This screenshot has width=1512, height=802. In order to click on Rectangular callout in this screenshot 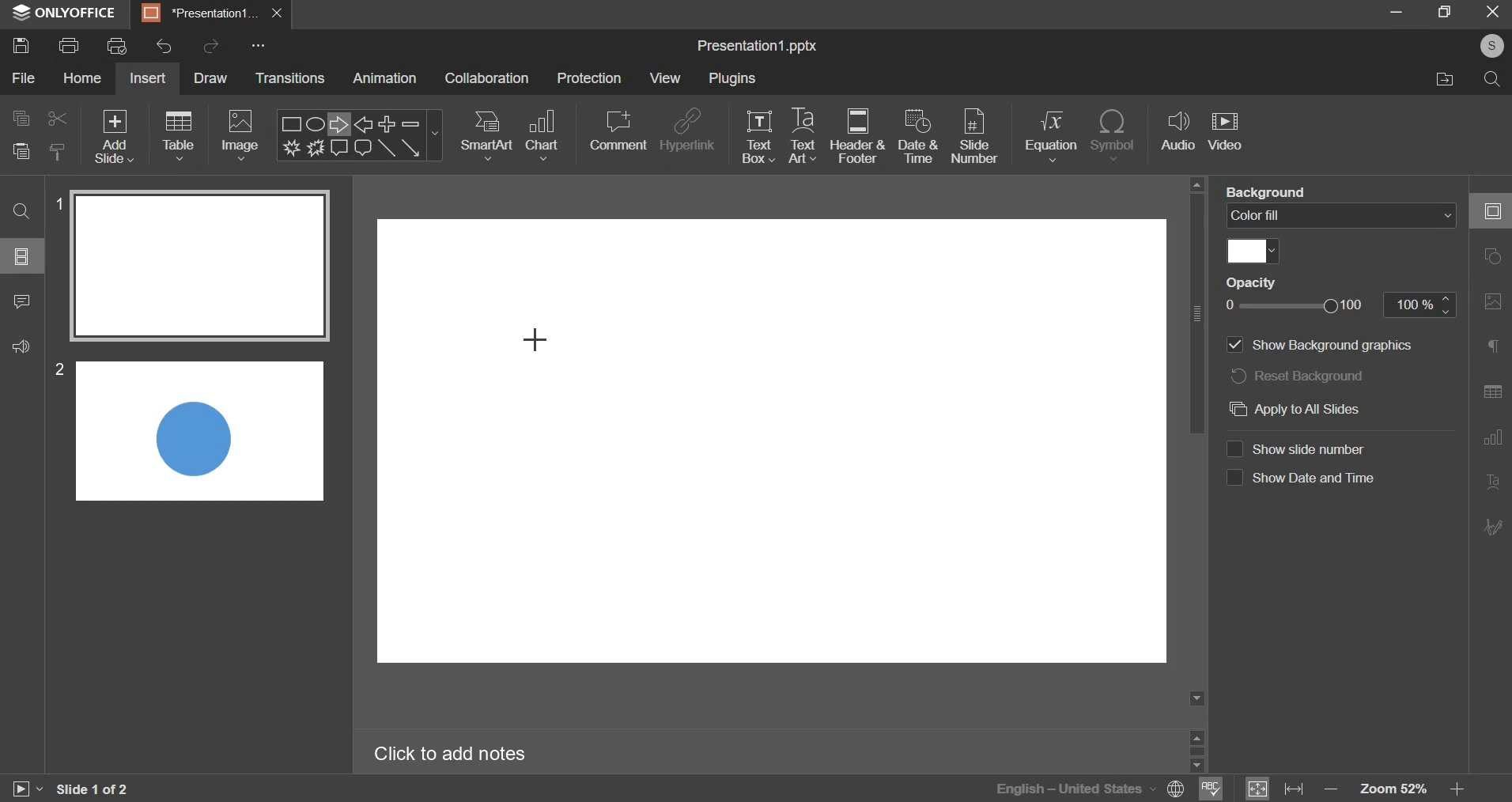, I will do `click(340, 148)`.